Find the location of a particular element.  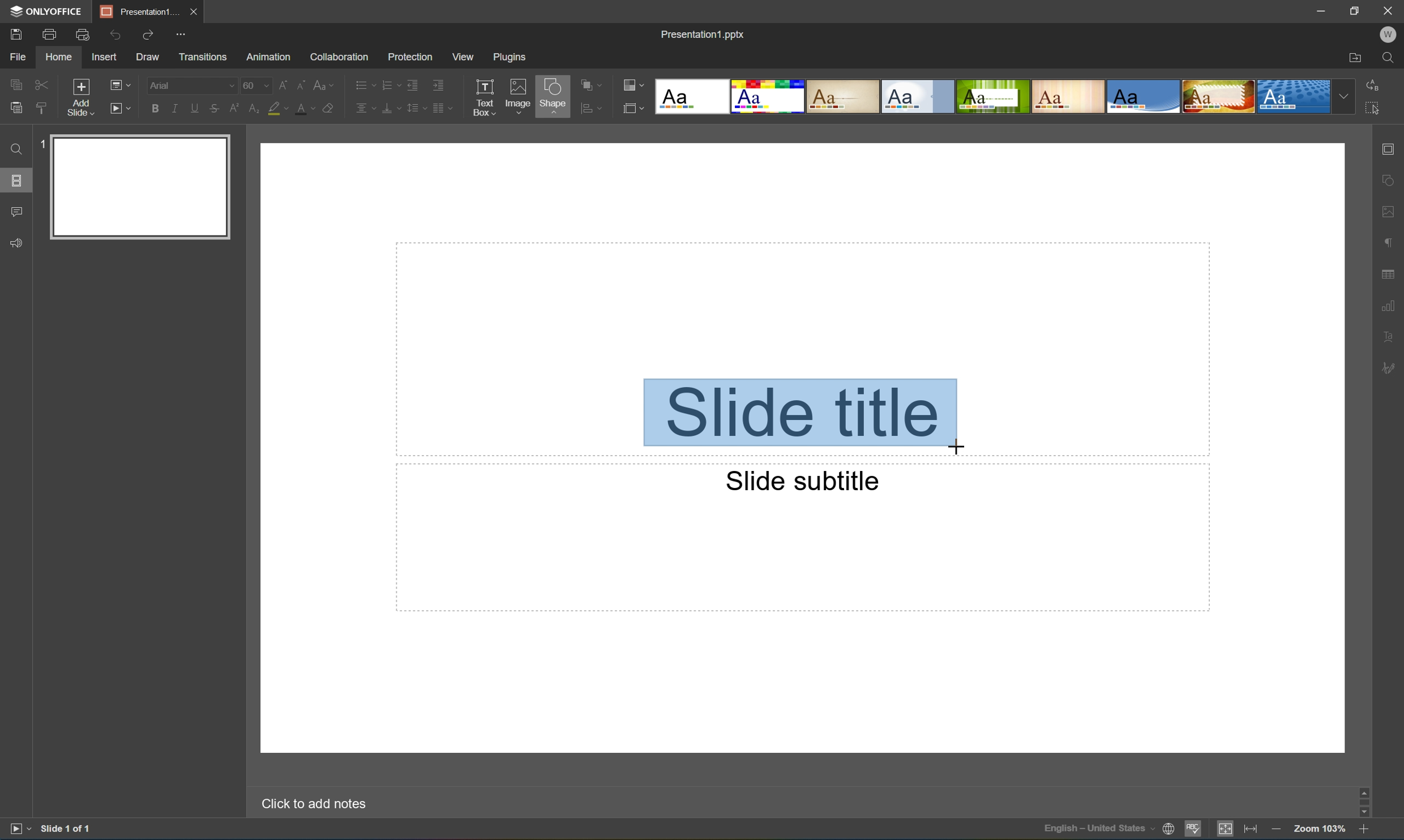

Restore down is located at coordinates (1352, 11).